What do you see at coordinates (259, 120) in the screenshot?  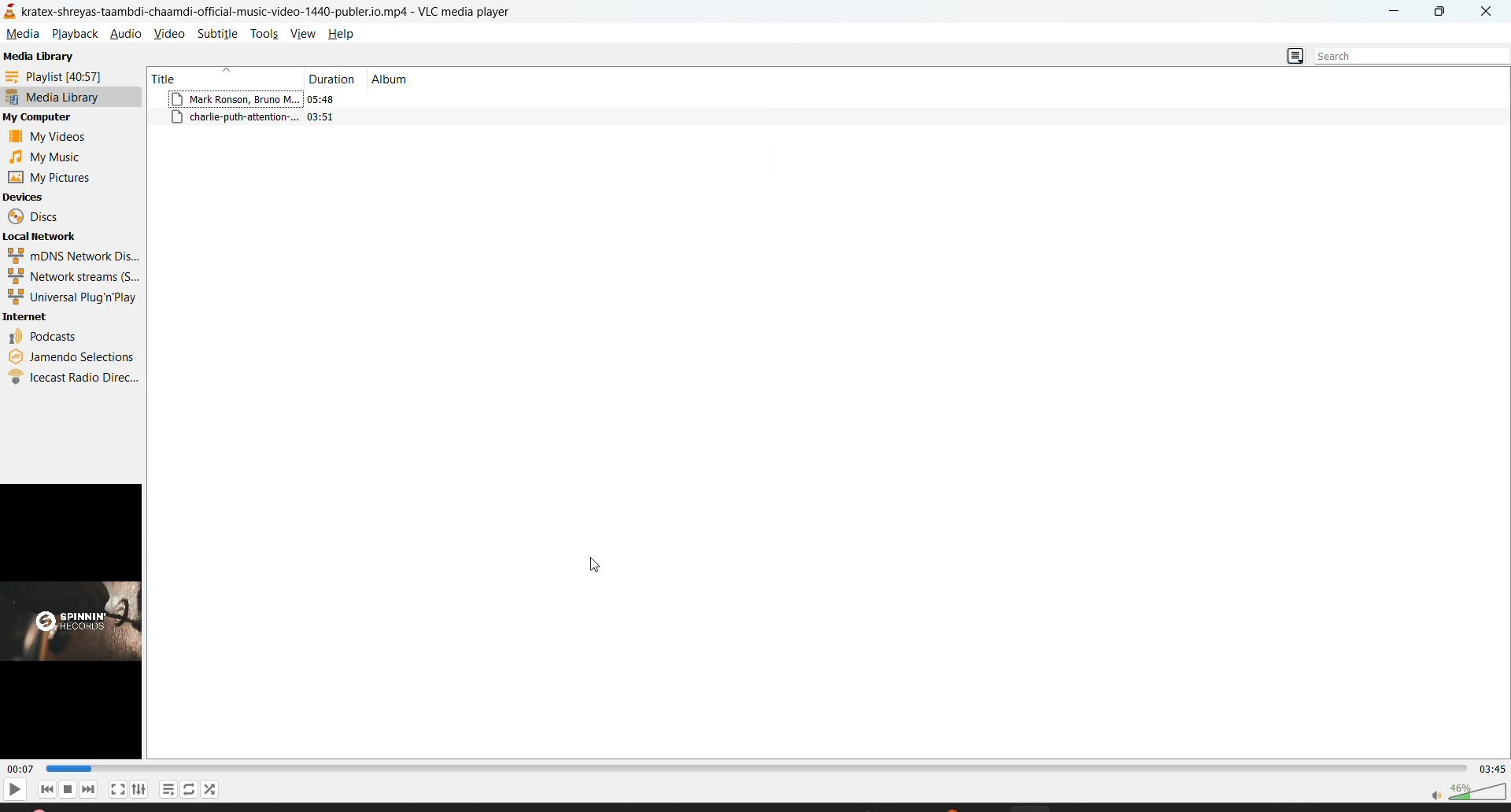 I see `added file` at bounding box center [259, 120].